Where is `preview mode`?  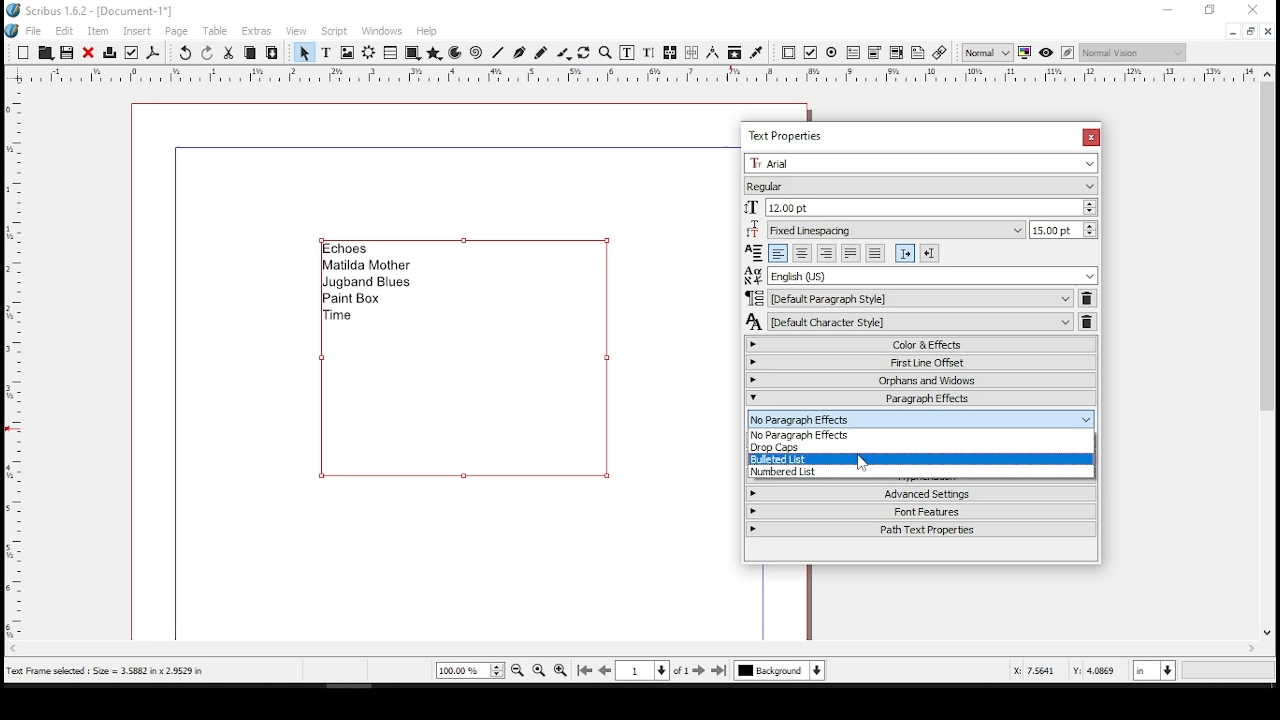
preview mode is located at coordinates (1046, 51).